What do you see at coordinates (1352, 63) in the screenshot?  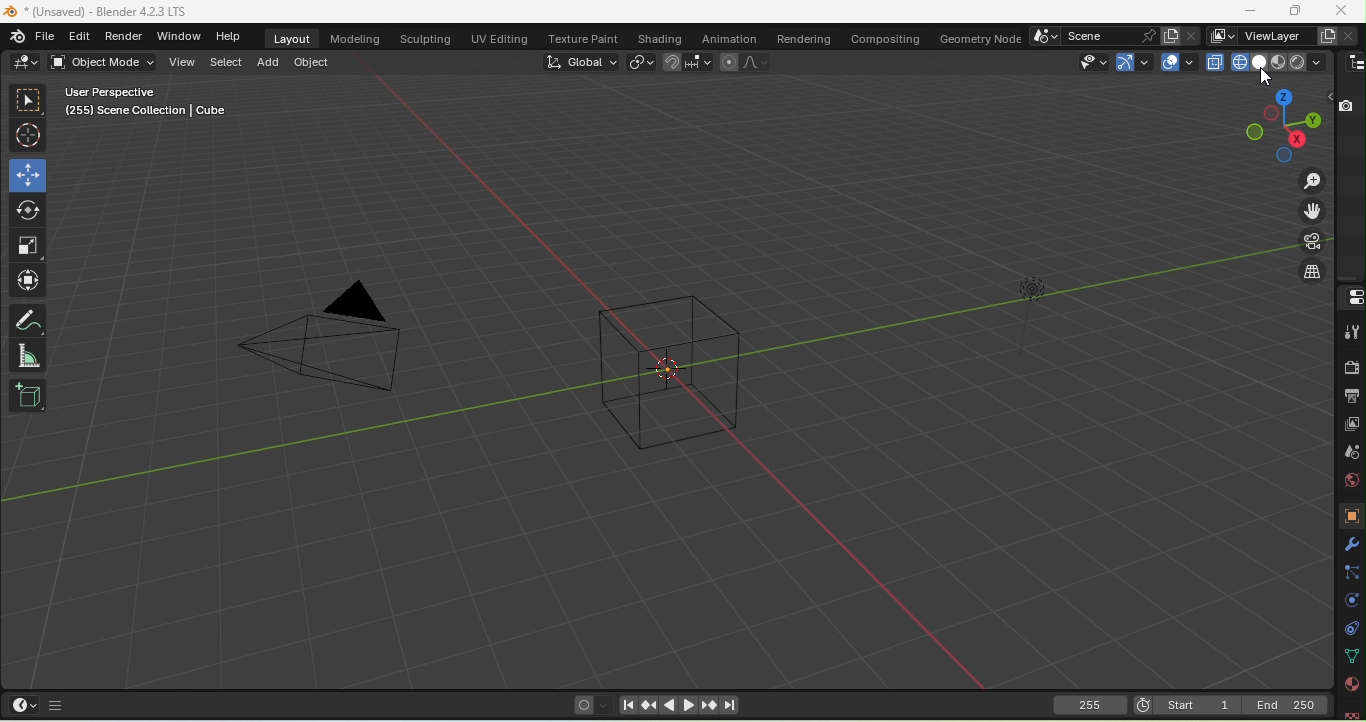 I see `Editor type` at bounding box center [1352, 63].